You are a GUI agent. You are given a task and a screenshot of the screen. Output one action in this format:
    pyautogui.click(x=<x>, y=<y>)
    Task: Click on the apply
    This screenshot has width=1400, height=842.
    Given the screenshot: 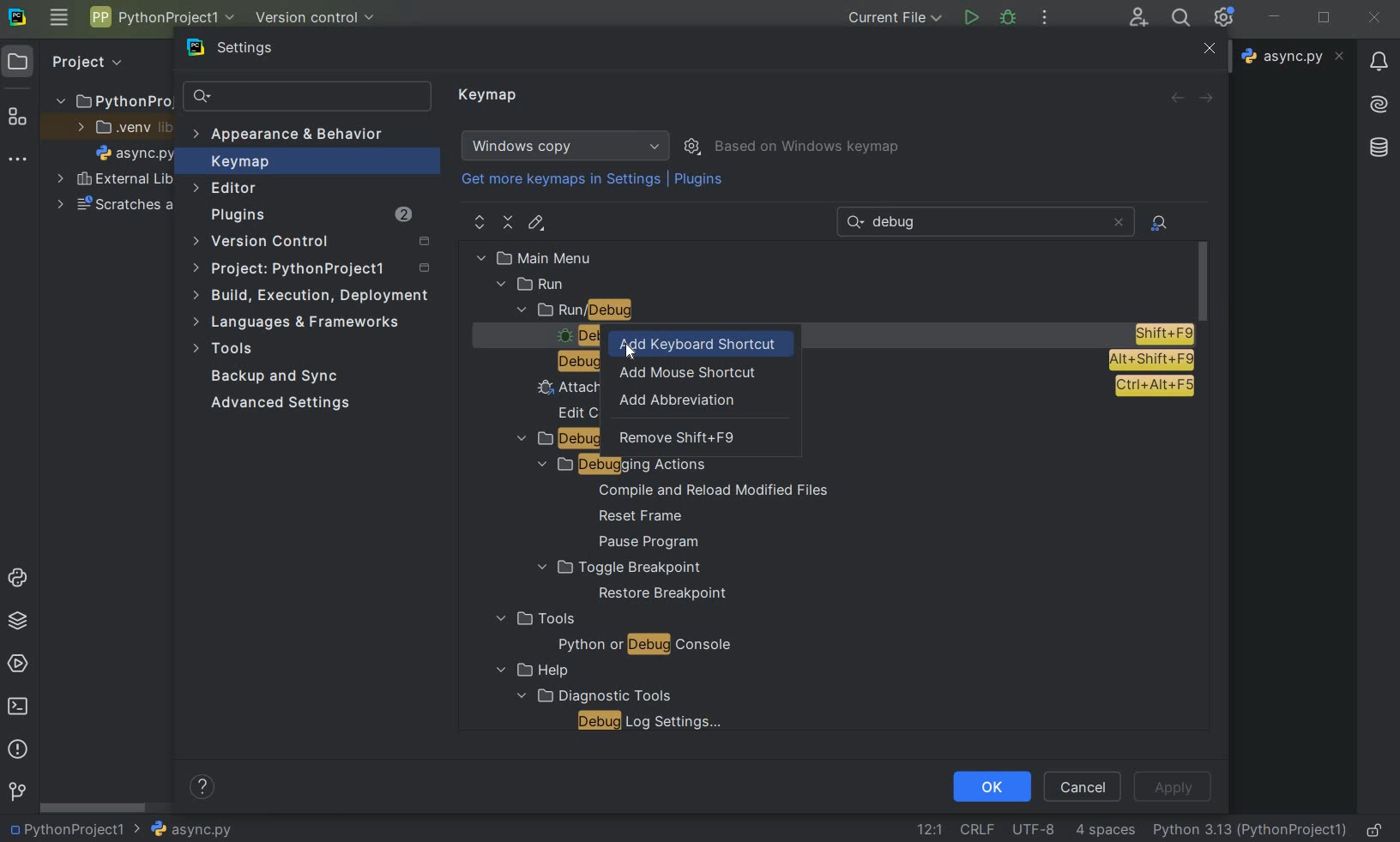 What is the action you would take?
    pyautogui.click(x=1172, y=787)
    